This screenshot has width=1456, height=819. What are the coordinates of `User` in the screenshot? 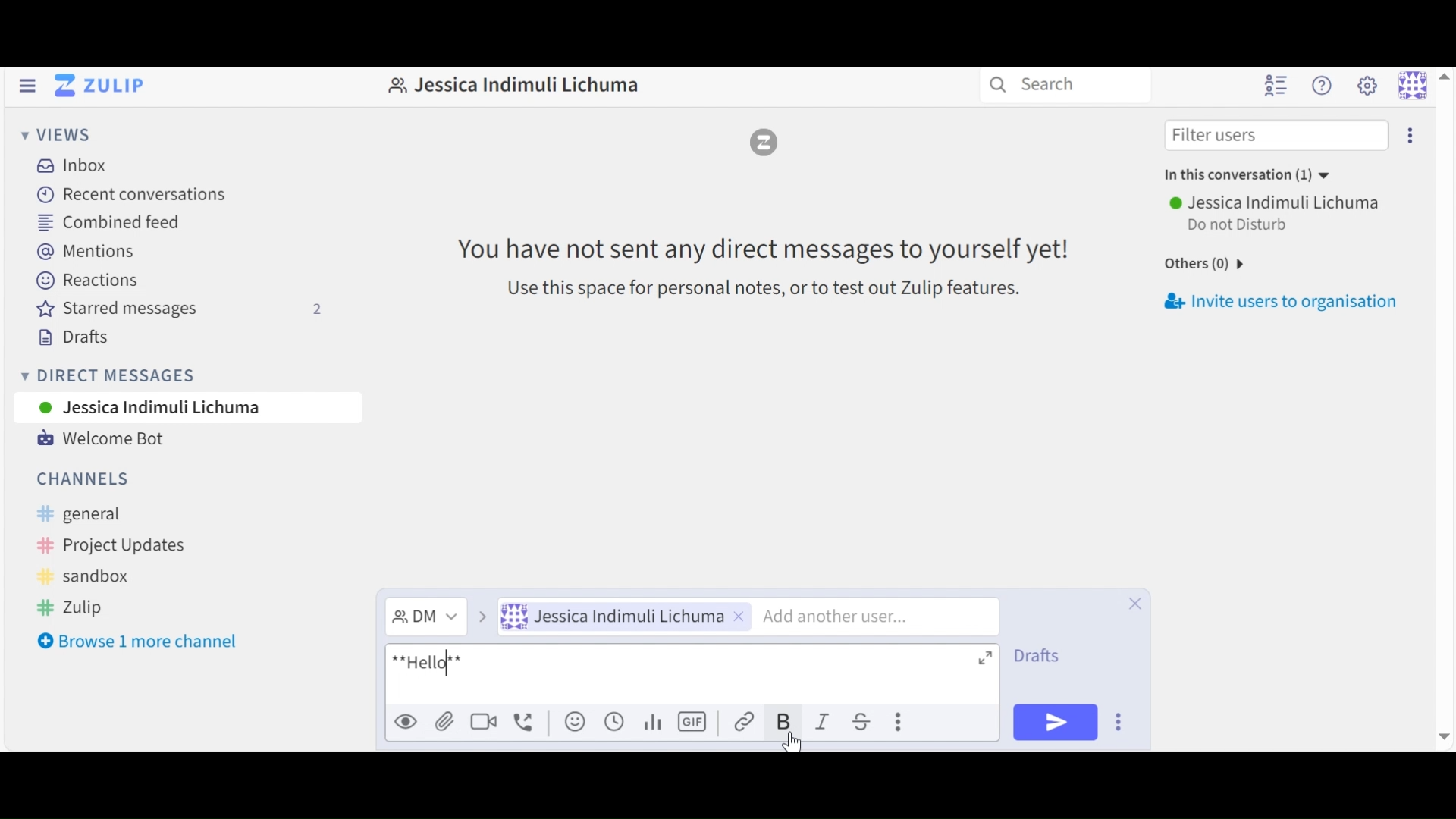 It's located at (163, 408).